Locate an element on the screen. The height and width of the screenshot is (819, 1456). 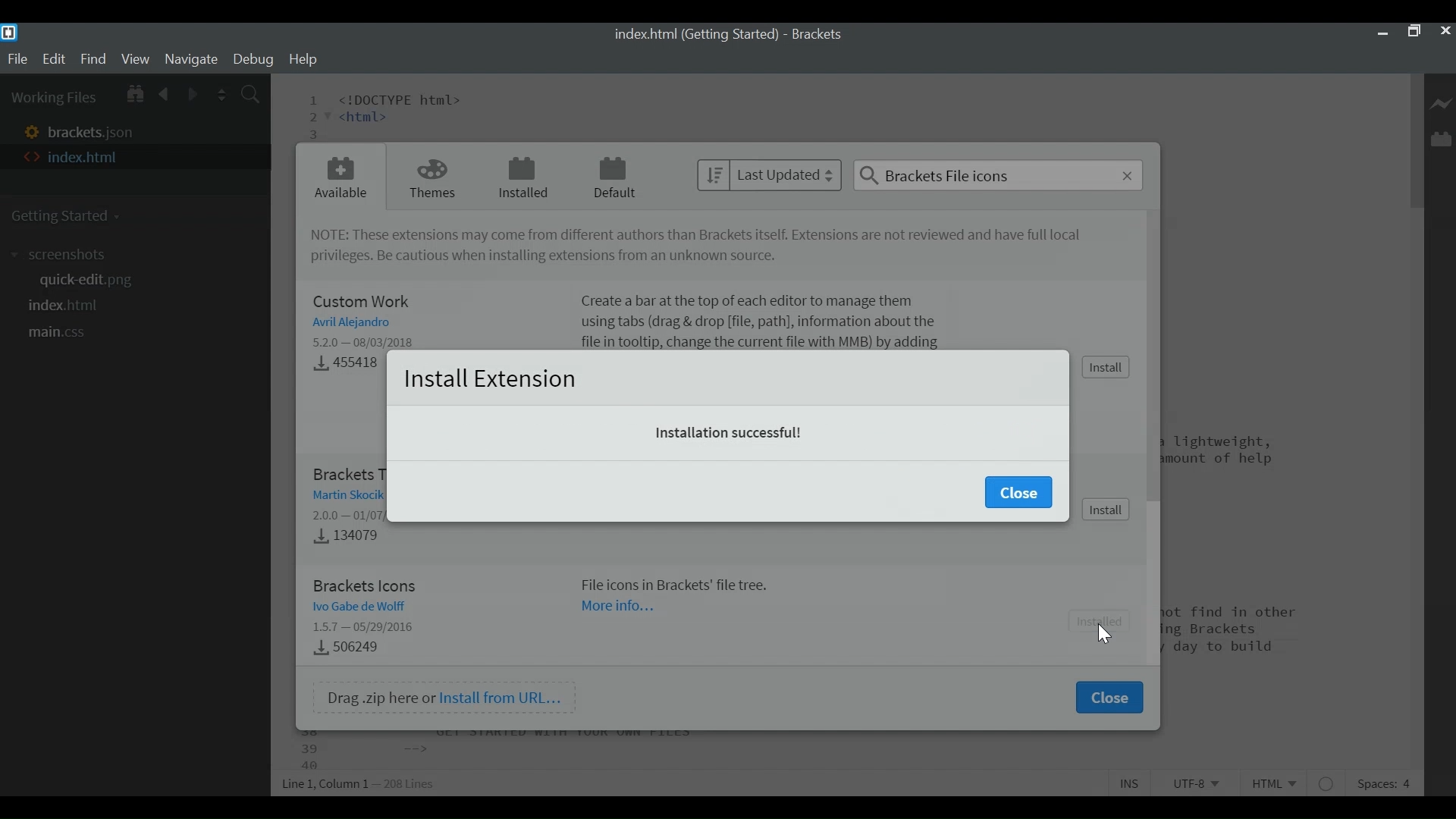
File icons in Backets file tree is located at coordinates (676, 586).